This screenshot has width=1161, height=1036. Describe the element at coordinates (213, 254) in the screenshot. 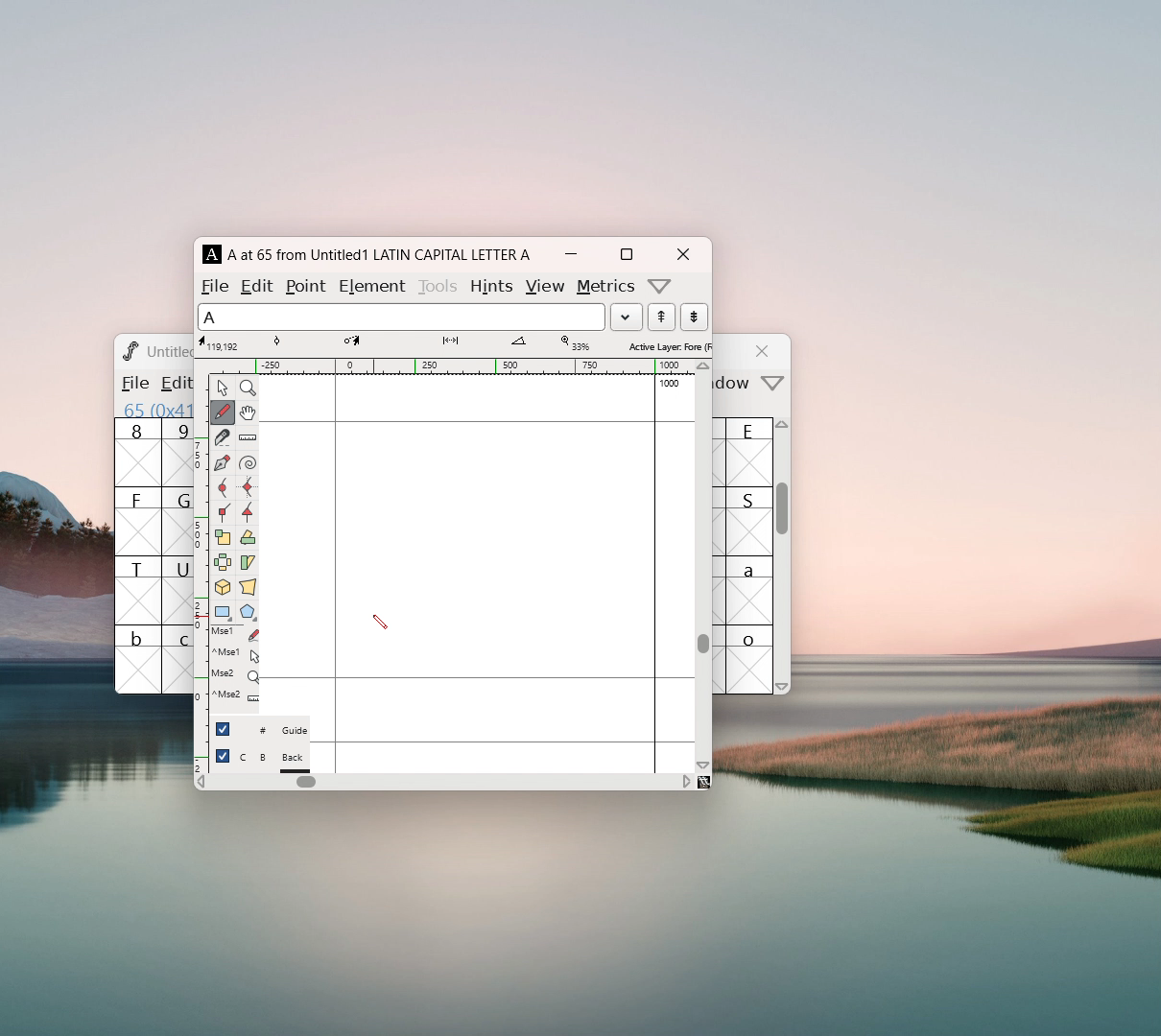

I see `A` at that location.